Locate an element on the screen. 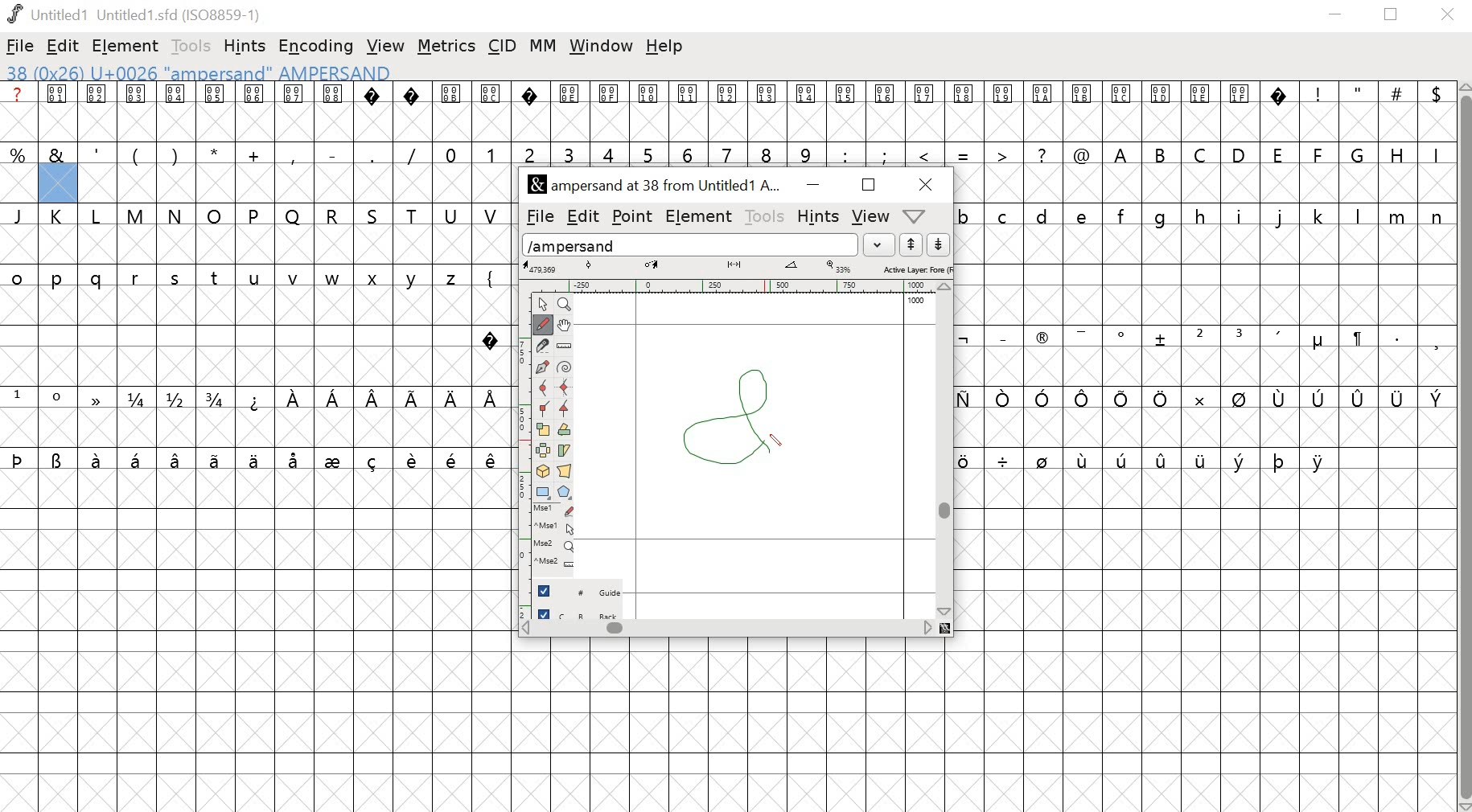 The width and height of the screenshot is (1472, 812). 000E is located at coordinates (569, 112).